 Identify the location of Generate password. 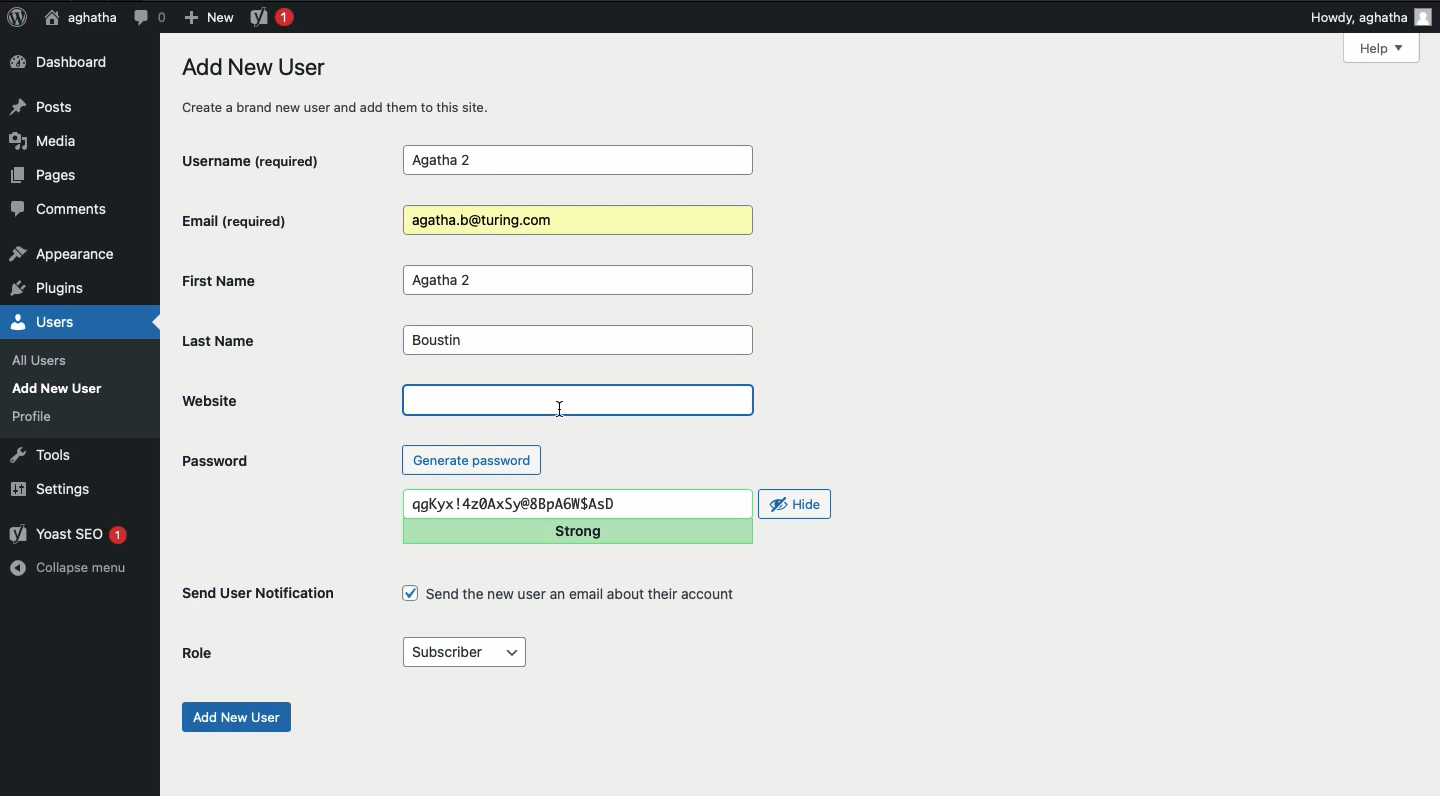
(472, 459).